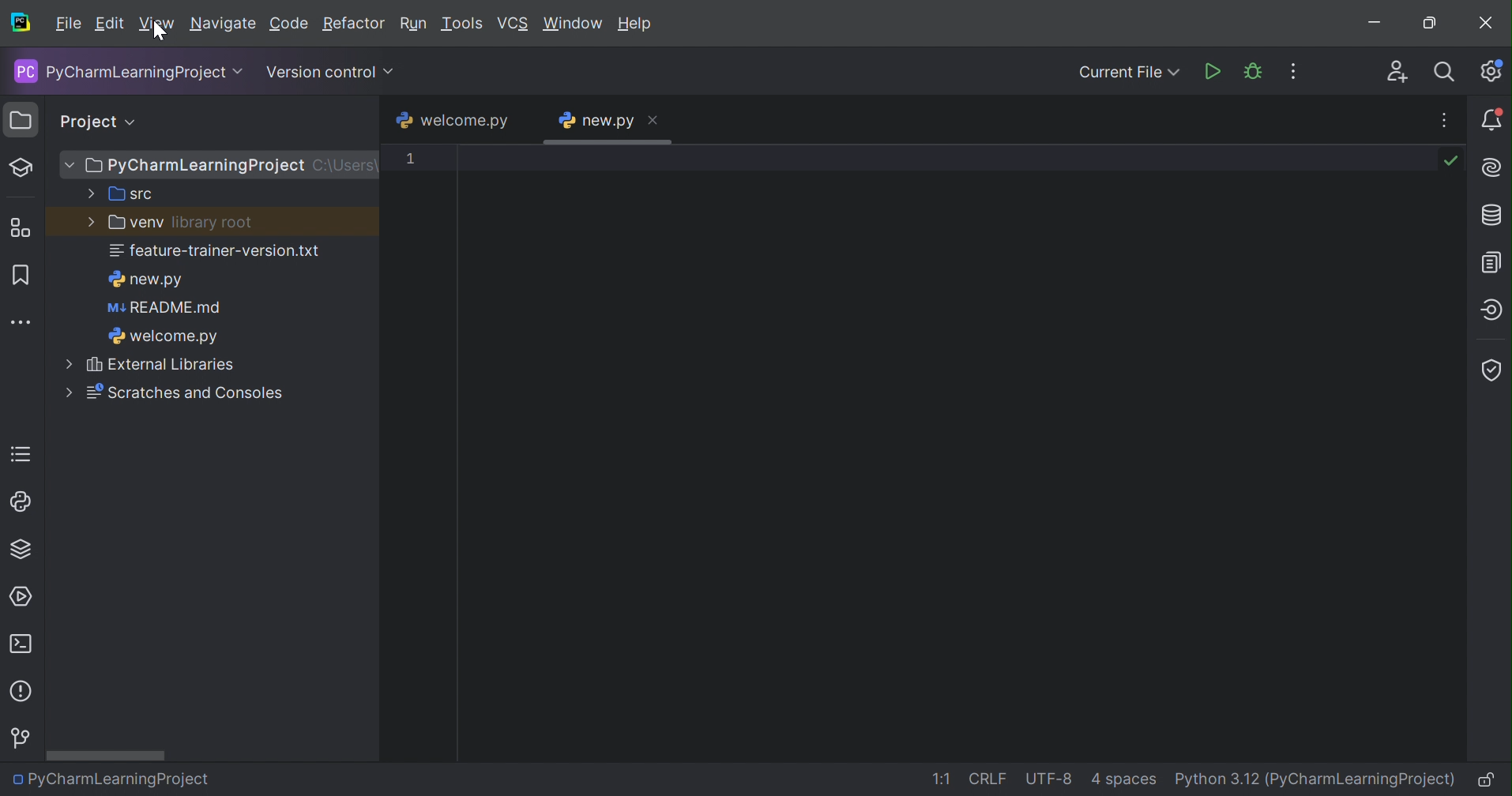 This screenshot has width=1512, height=796. I want to click on PyCharmLearningProject, so click(118, 71).